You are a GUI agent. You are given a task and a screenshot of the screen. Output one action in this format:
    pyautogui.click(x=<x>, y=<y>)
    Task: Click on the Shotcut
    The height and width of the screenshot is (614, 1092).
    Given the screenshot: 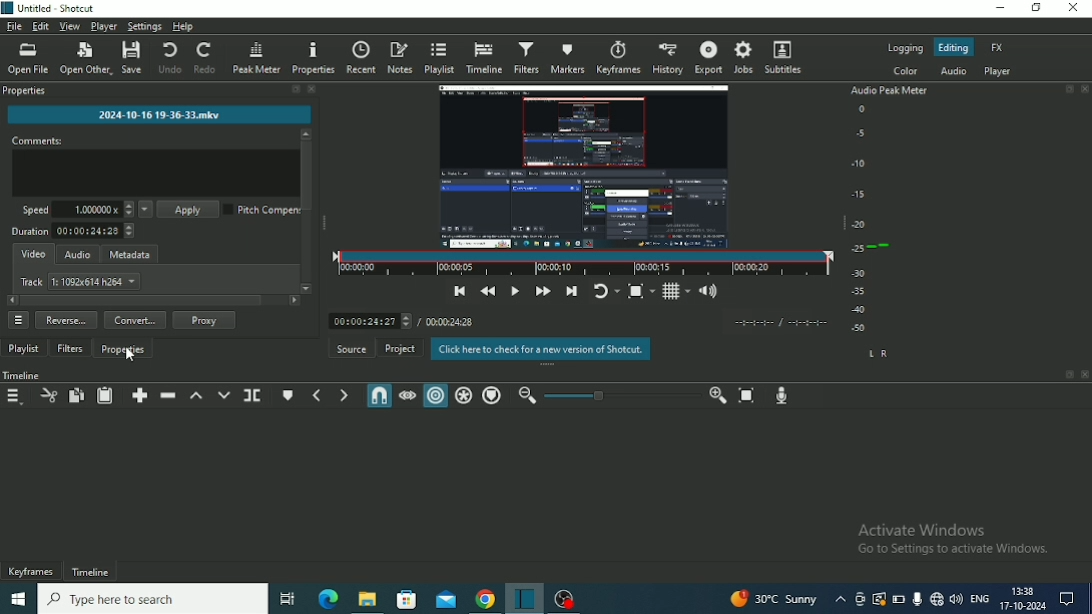 What is the action you would take?
    pyautogui.click(x=523, y=598)
    